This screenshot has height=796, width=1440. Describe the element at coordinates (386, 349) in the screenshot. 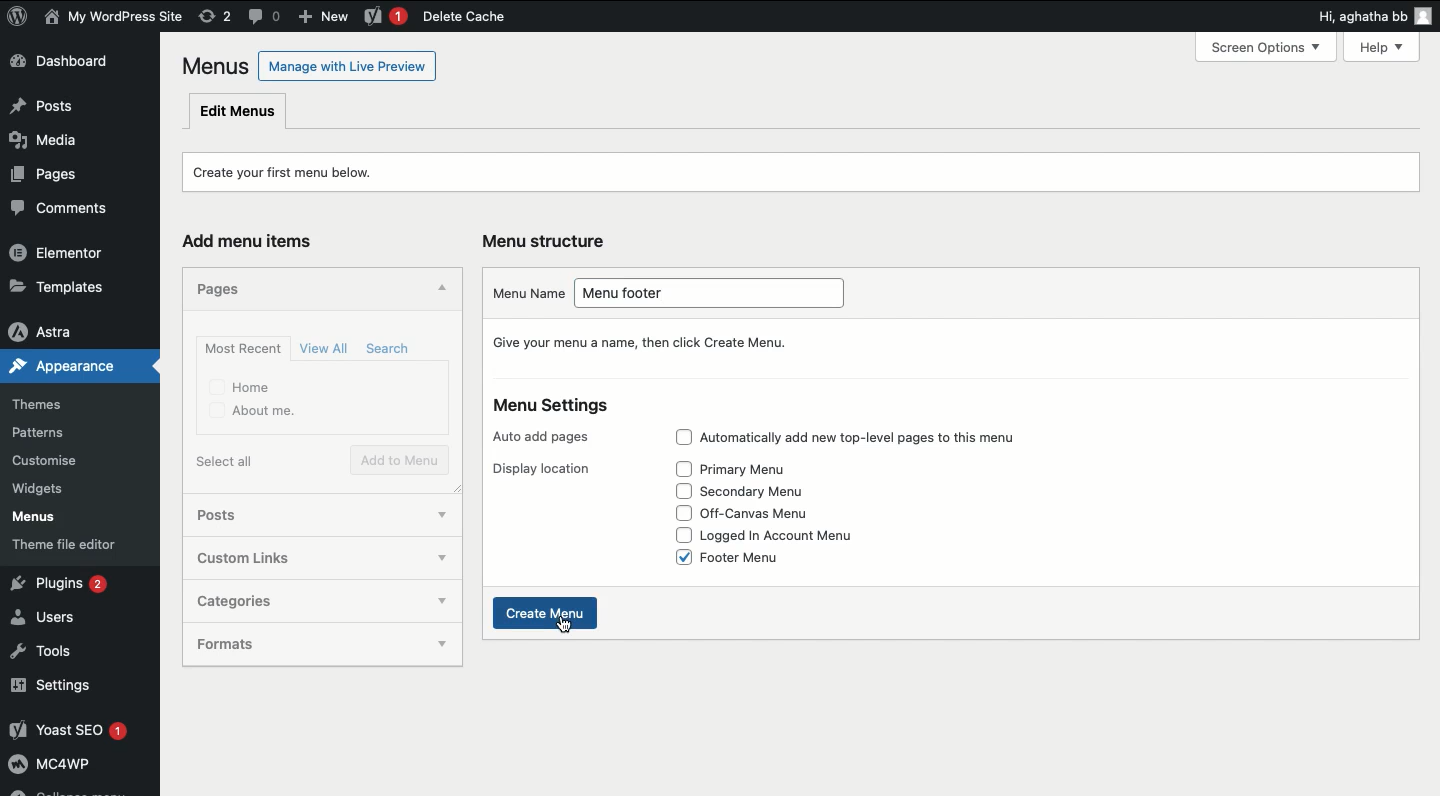

I see `Search` at that location.